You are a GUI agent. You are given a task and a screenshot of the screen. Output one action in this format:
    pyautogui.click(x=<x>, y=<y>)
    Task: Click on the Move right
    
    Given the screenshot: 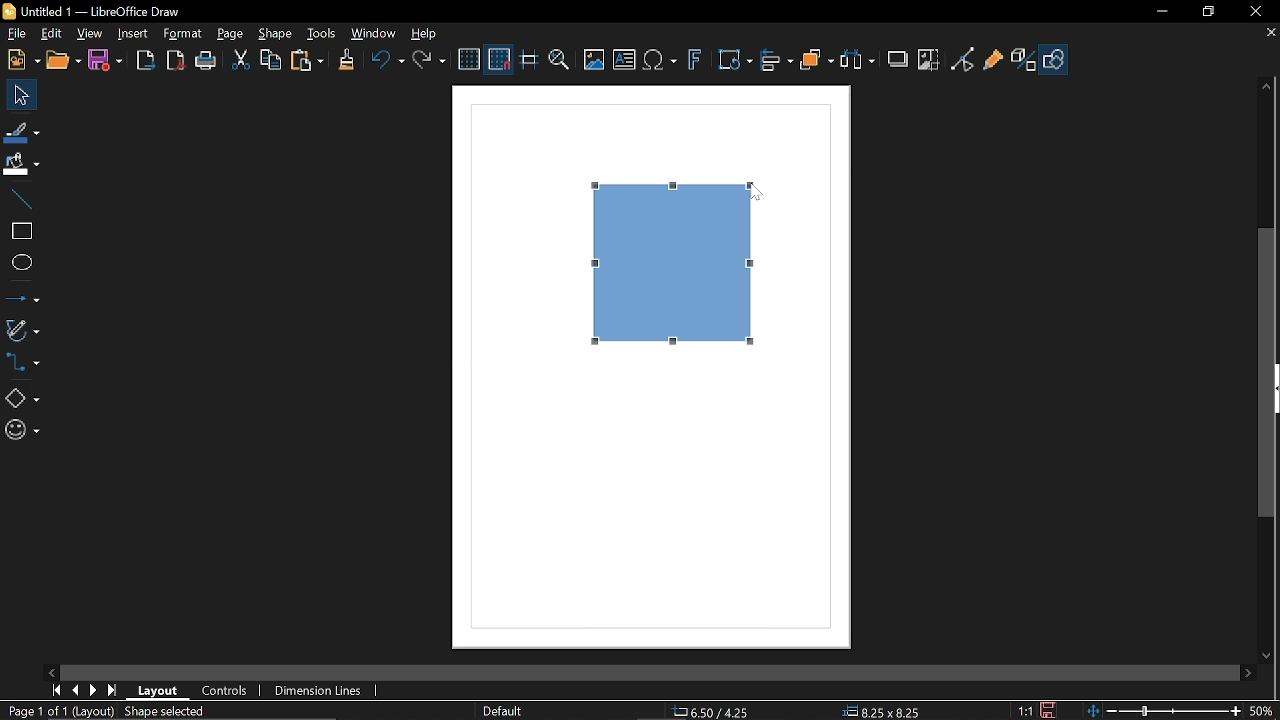 What is the action you would take?
    pyautogui.click(x=1248, y=672)
    